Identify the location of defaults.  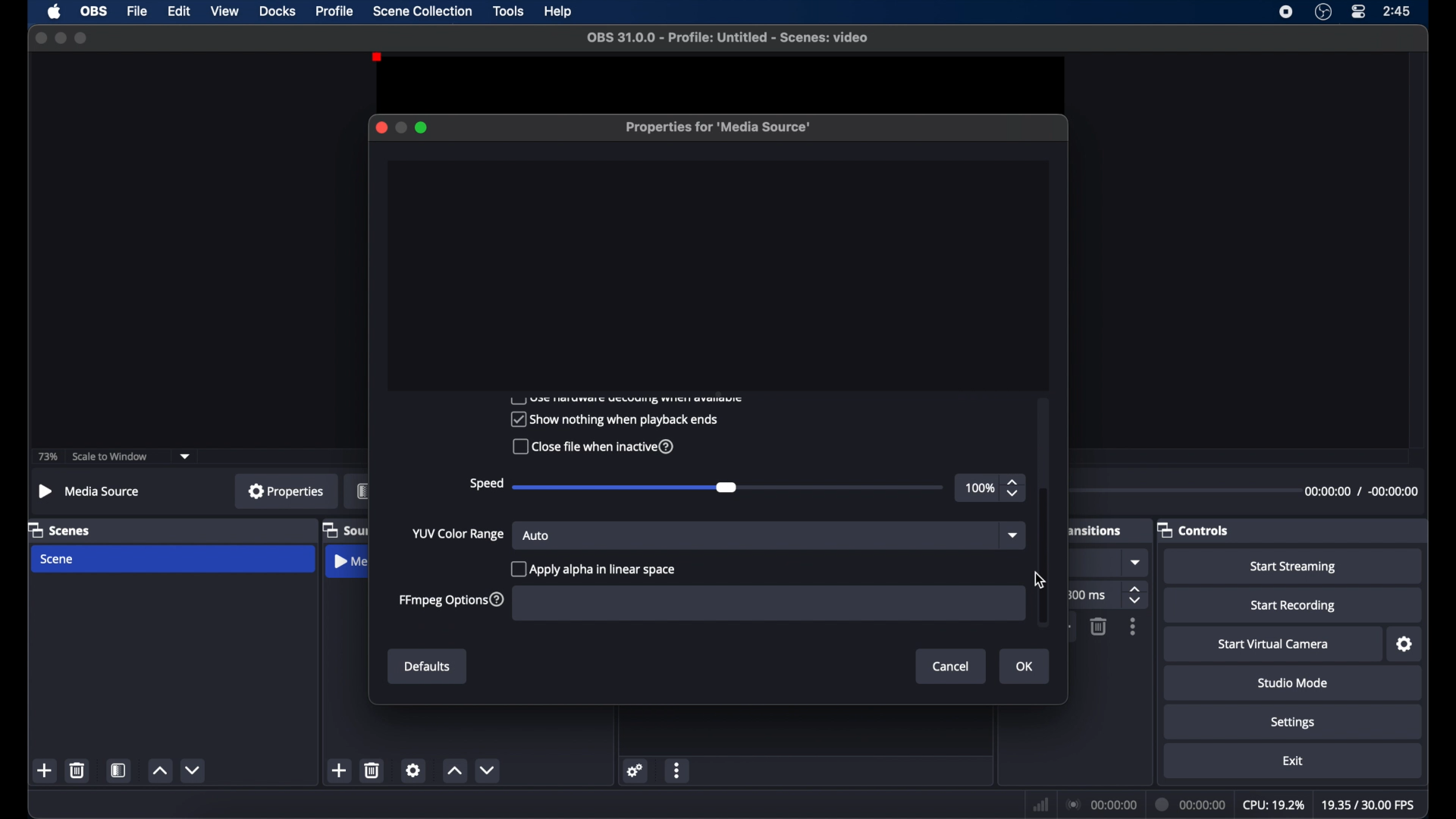
(428, 667).